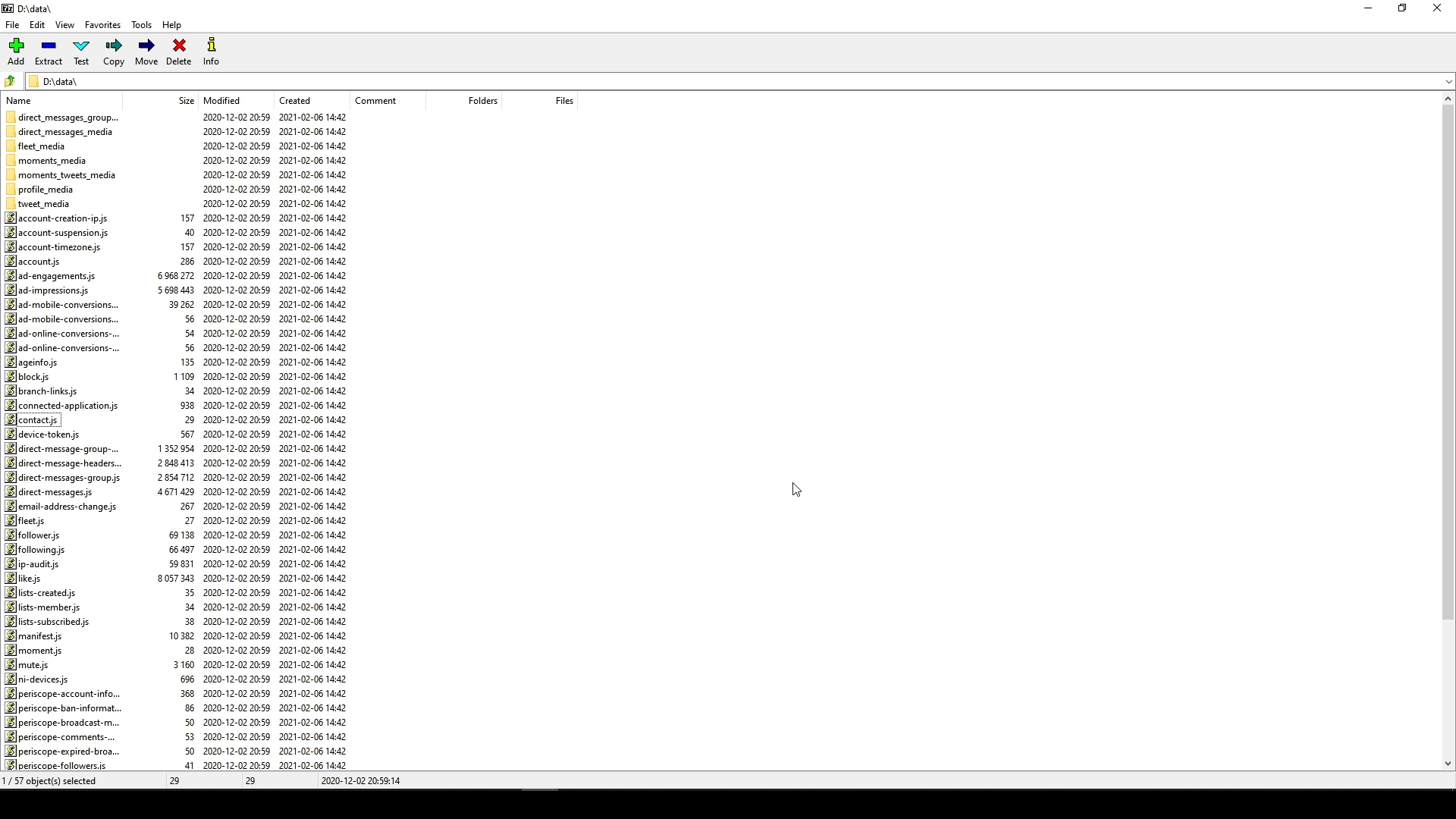 The height and width of the screenshot is (819, 1456). Describe the element at coordinates (36, 649) in the screenshot. I see `moment.js` at that location.